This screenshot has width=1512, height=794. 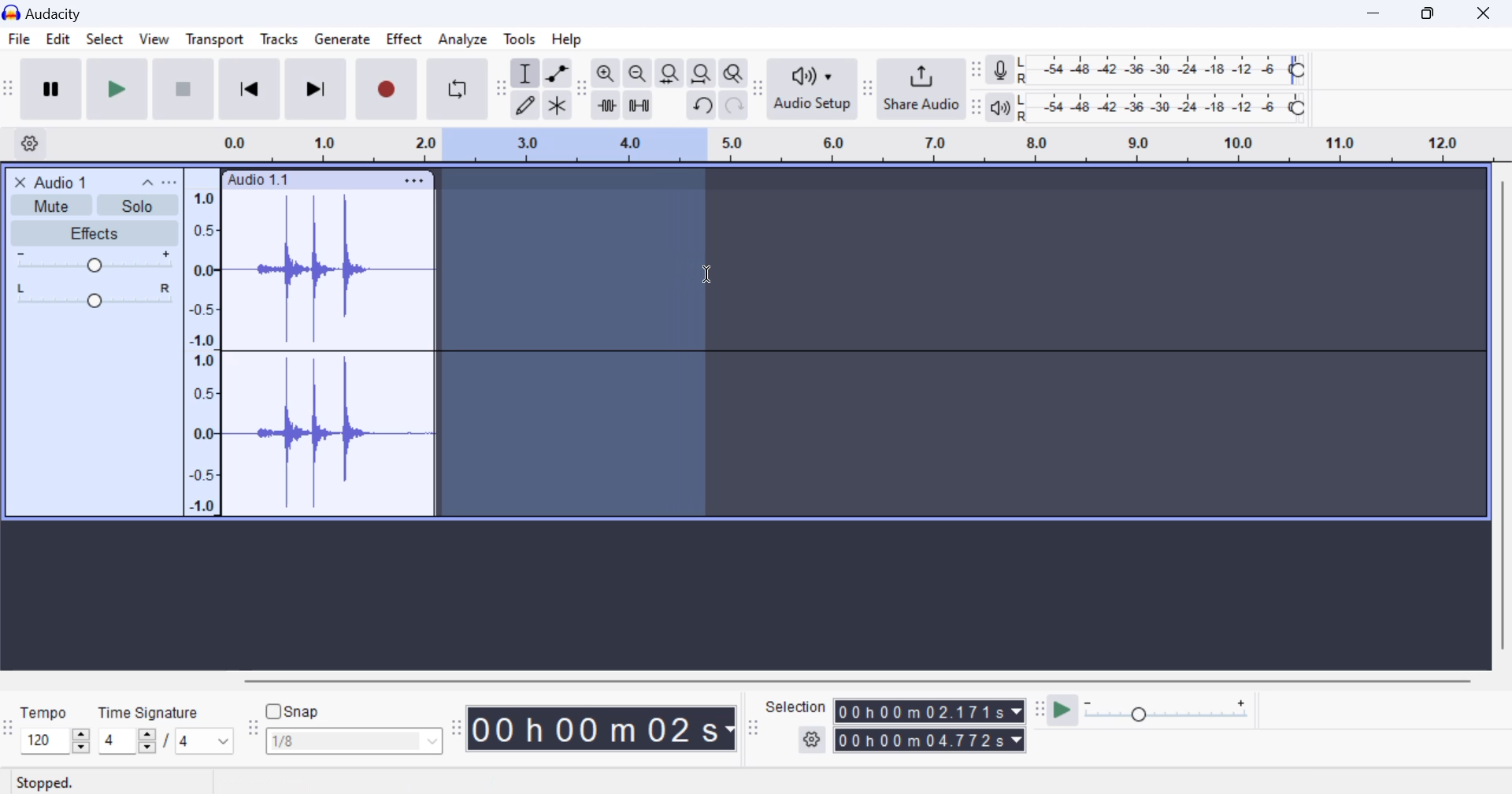 What do you see at coordinates (146, 181) in the screenshot?
I see `collapse` at bounding box center [146, 181].